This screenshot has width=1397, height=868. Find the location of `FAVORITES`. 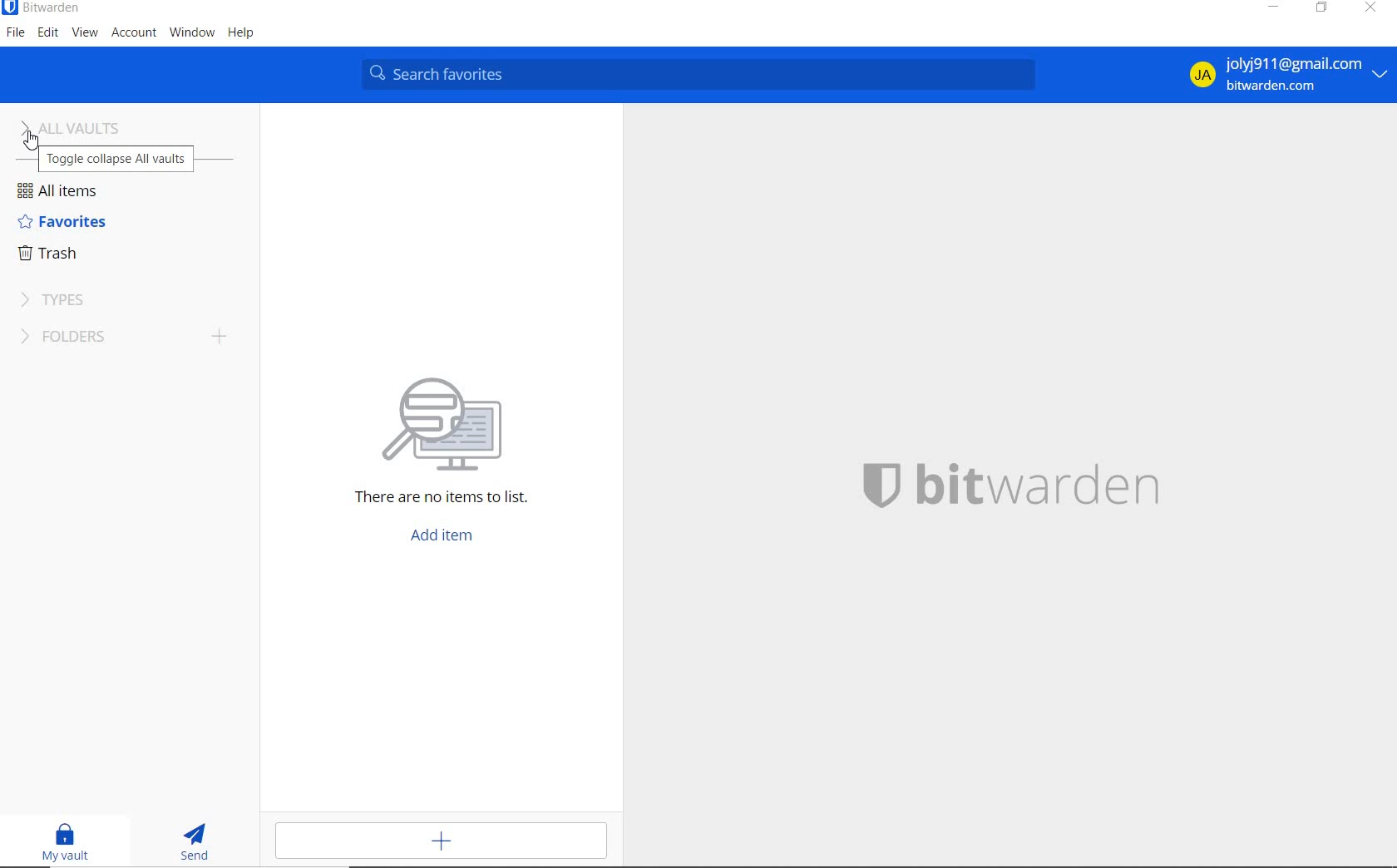

FAVORITES is located at coordinates (62, 222).